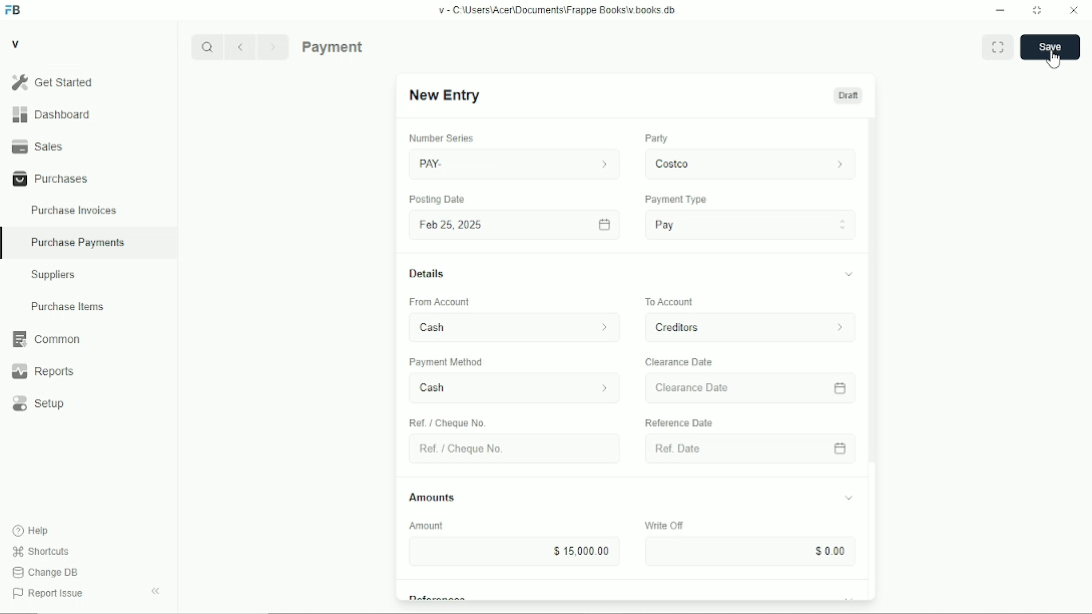  What do you see at coordinates (750, 226) in the screenshot?
I see `Pay` at bounding box center [750, 226].